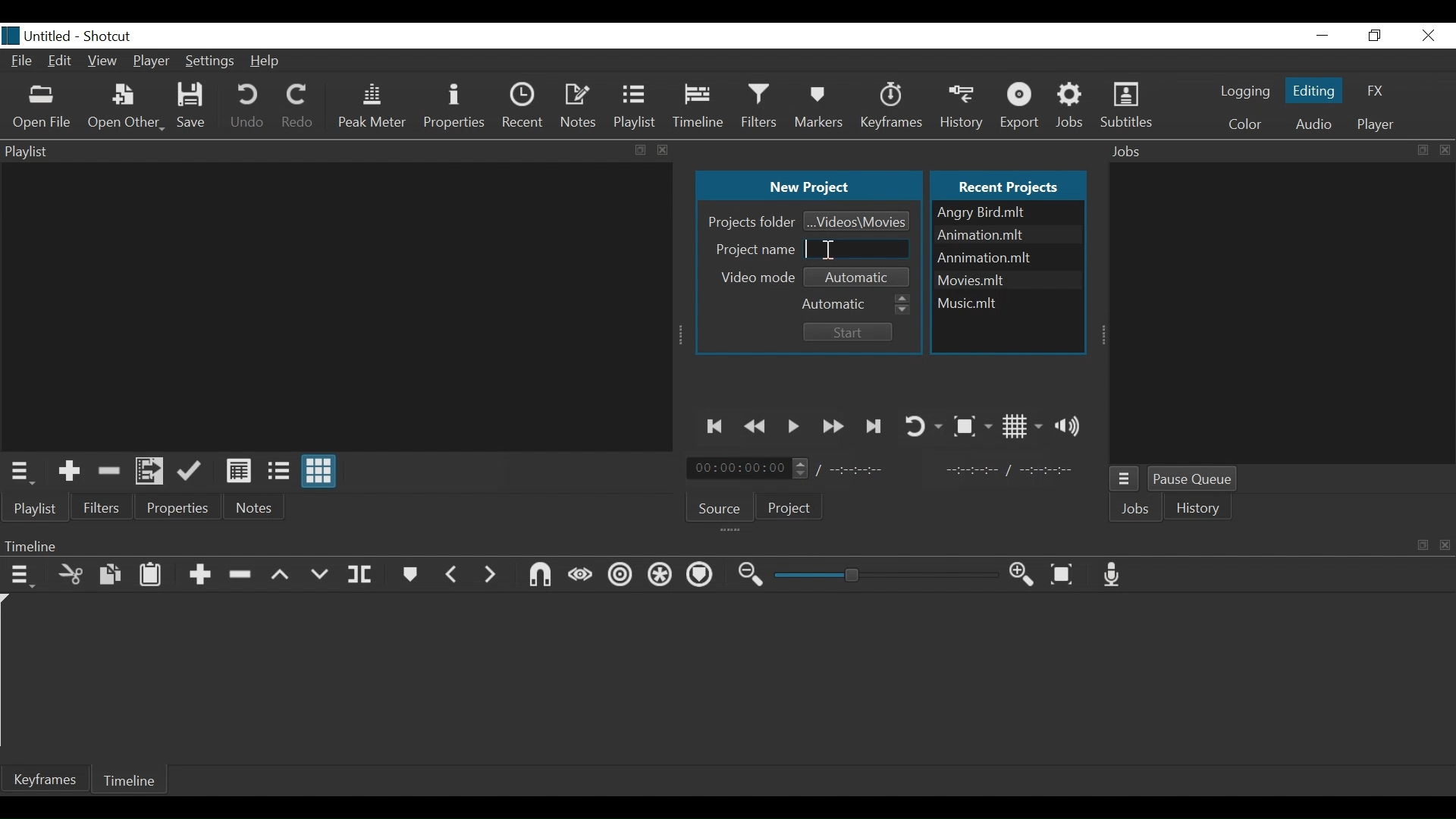  I want to click on Jobs, so click(1075, 105).